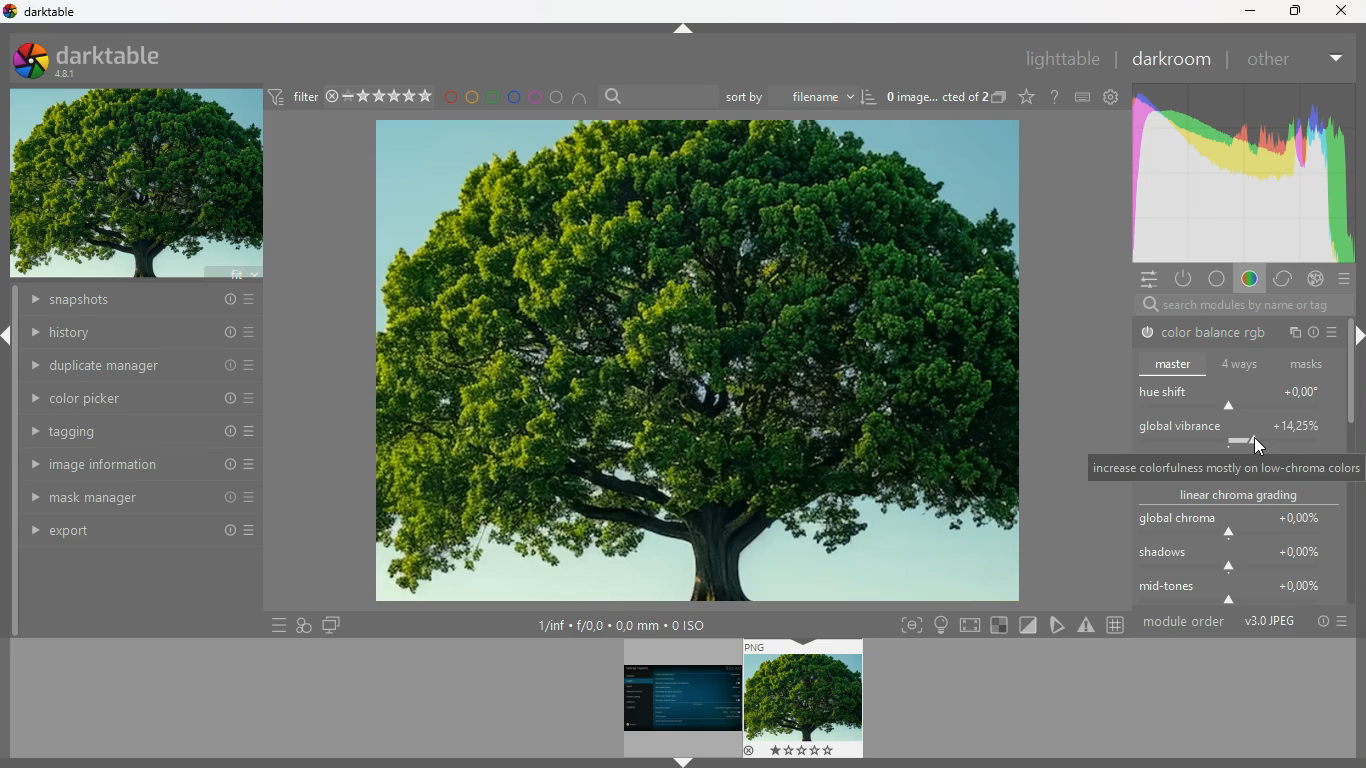 The width and height of the screenshot is (1366, 768). Describe the element at coordinates (1316, 335) in the screenshot. I see `info` at that location.